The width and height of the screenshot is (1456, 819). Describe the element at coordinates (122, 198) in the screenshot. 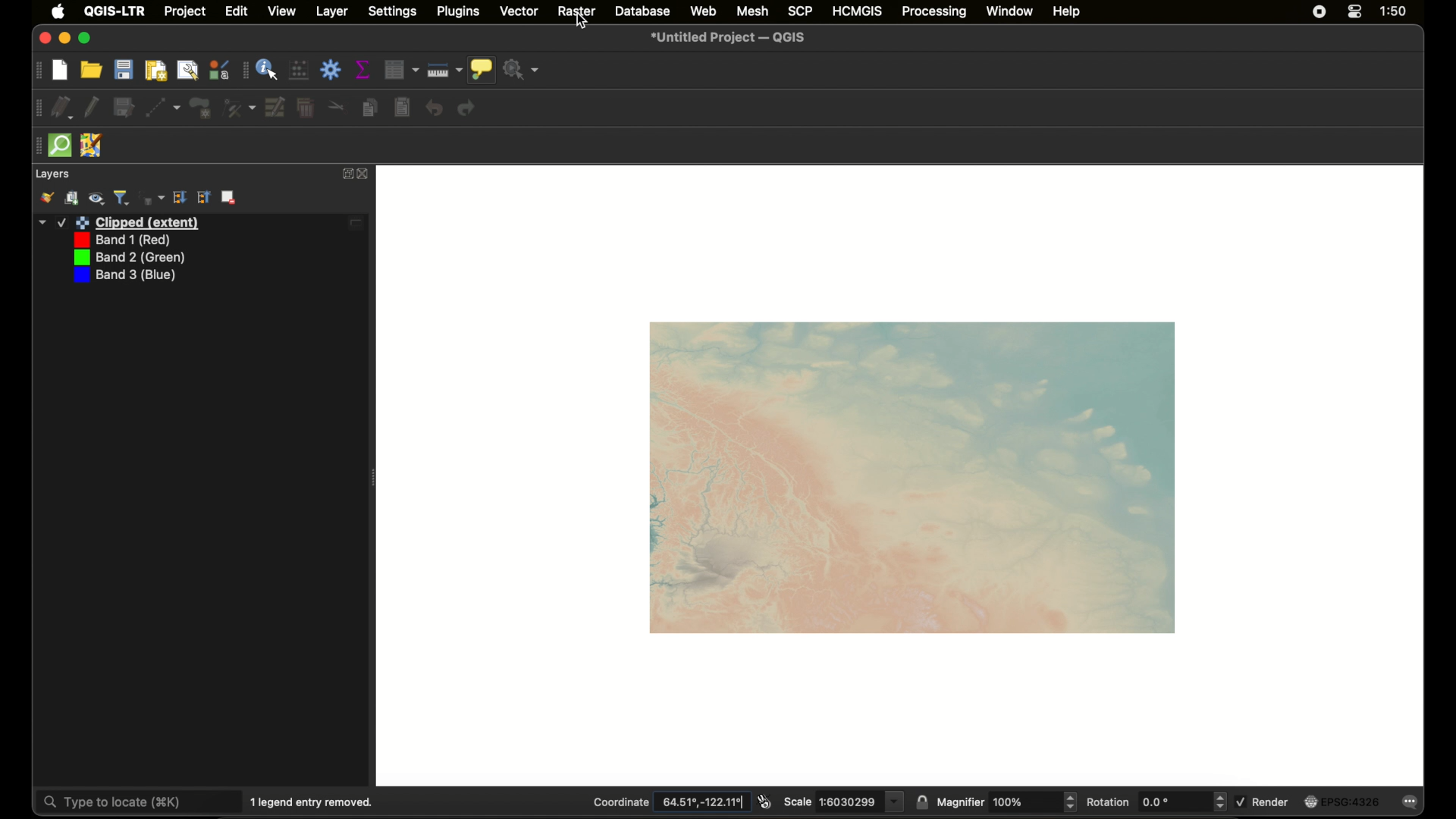

I see `filter legend` at that location.